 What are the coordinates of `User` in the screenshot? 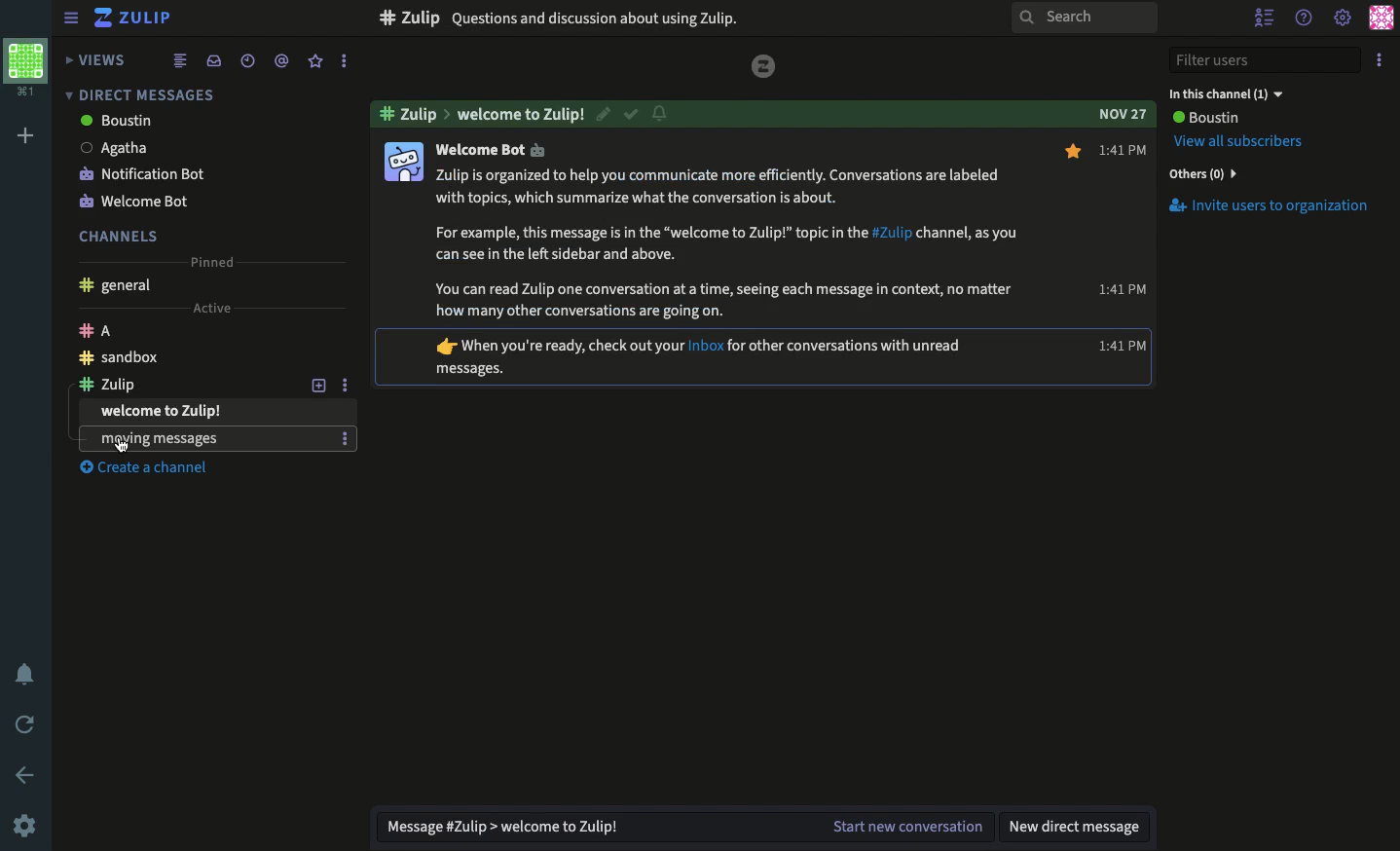 It's located at (1204, 118).